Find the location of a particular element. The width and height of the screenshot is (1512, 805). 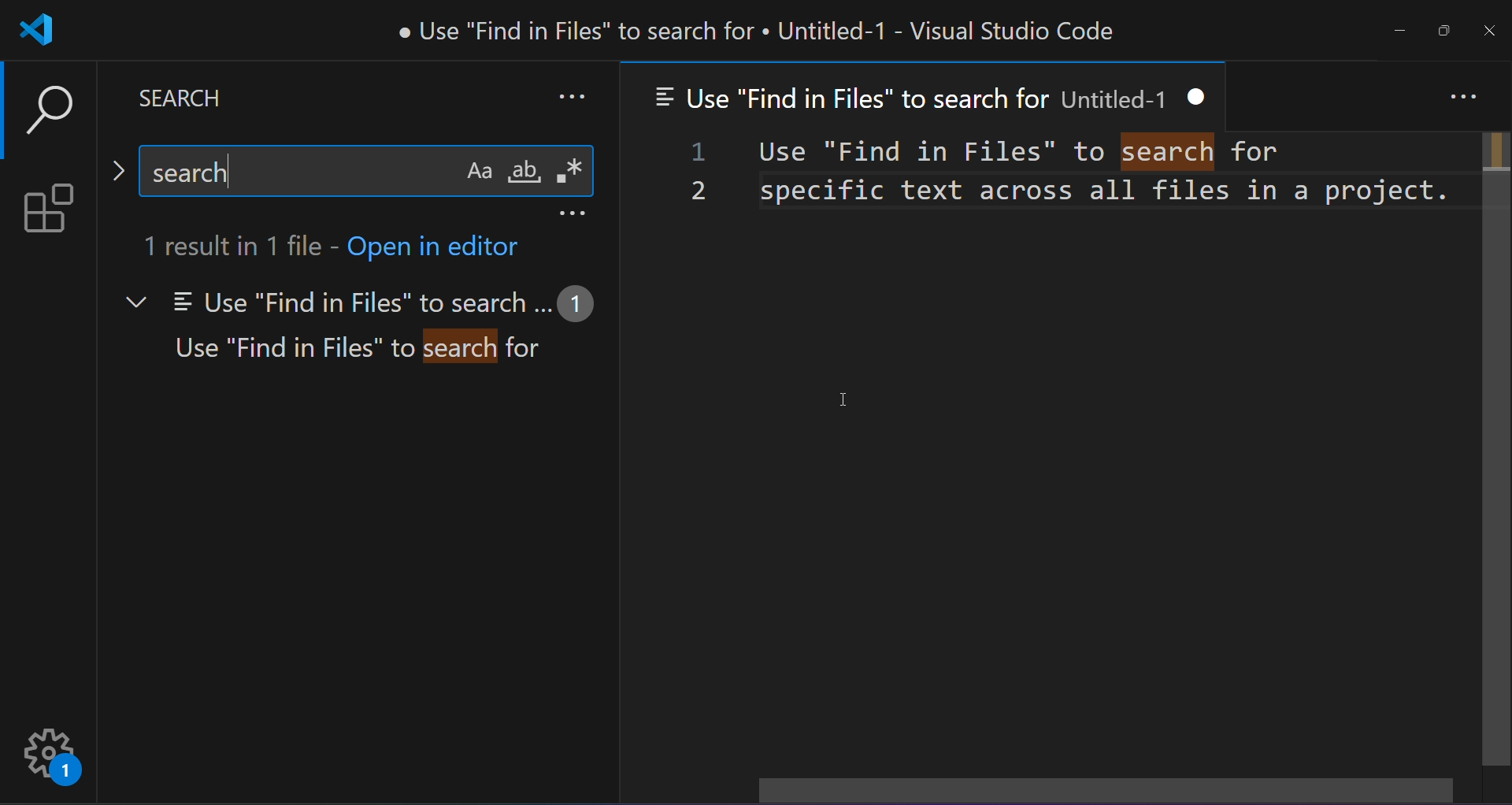

whole word is located at coordinates (520, 170).